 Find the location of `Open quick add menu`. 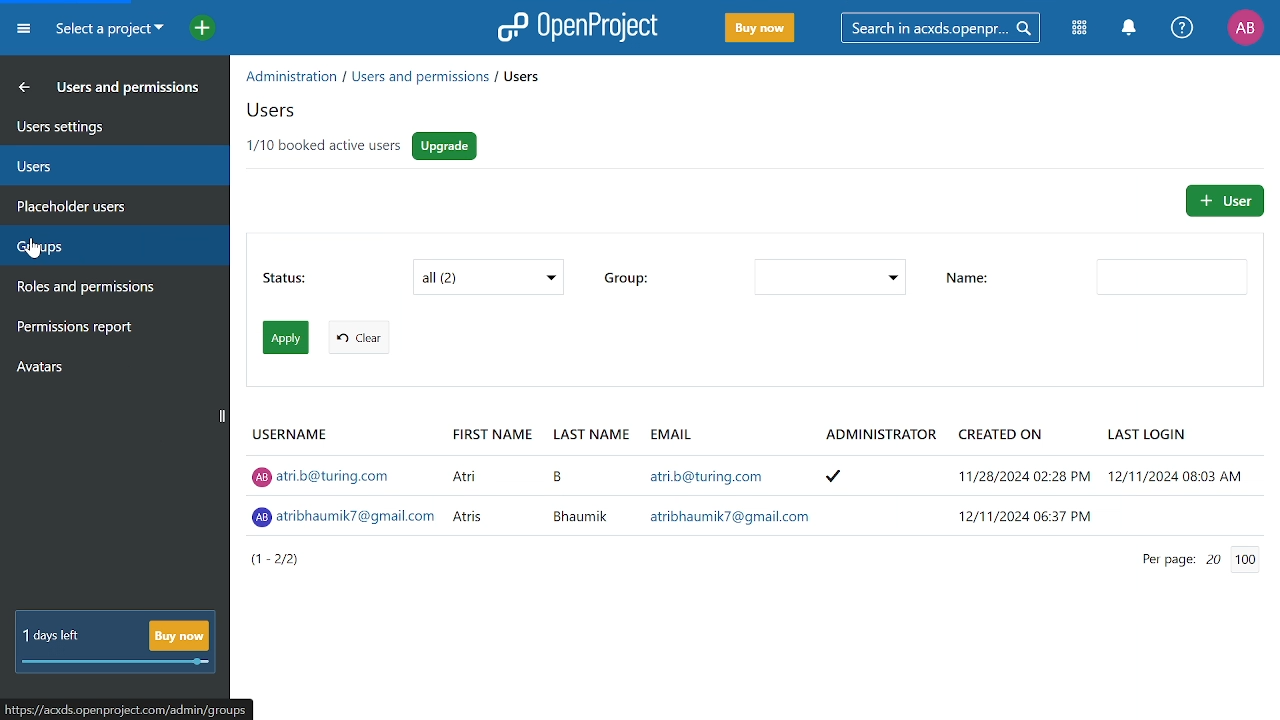

Open quick add menu is located at coordinates (192, 27).